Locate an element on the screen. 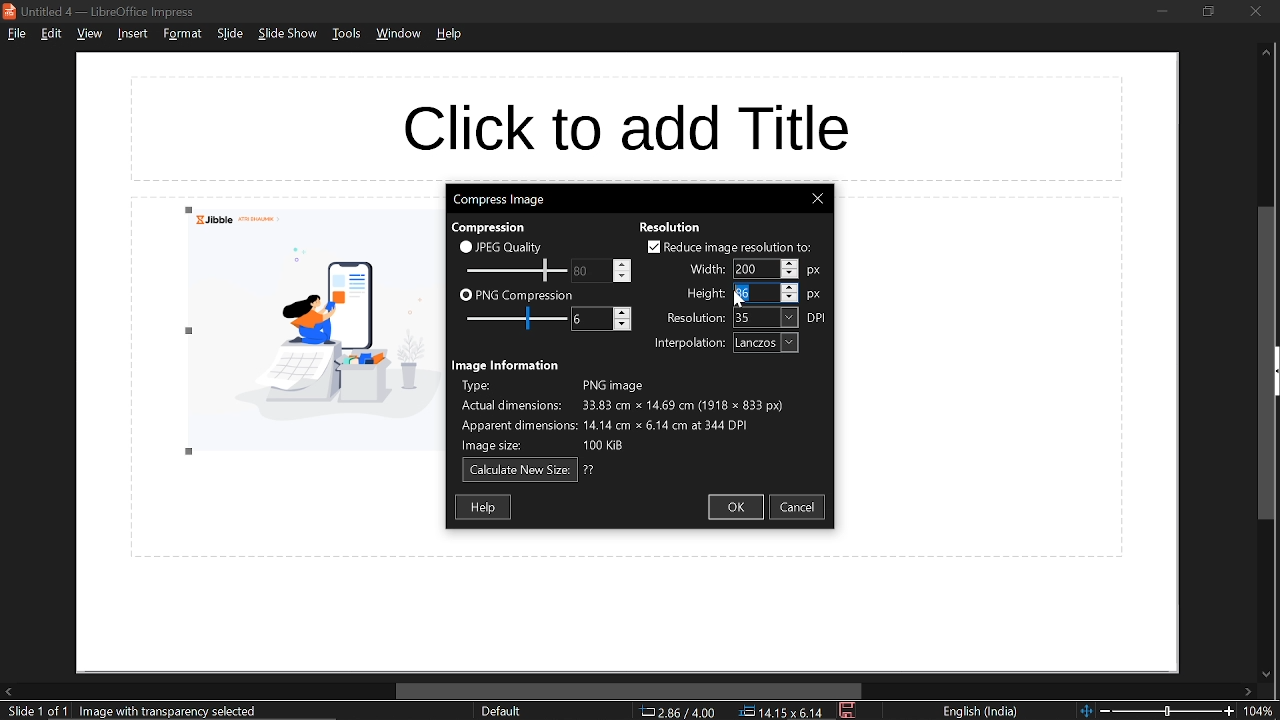 The width and height of the screenshot is (1280, 720). image information is located at coordinates (508, 365).